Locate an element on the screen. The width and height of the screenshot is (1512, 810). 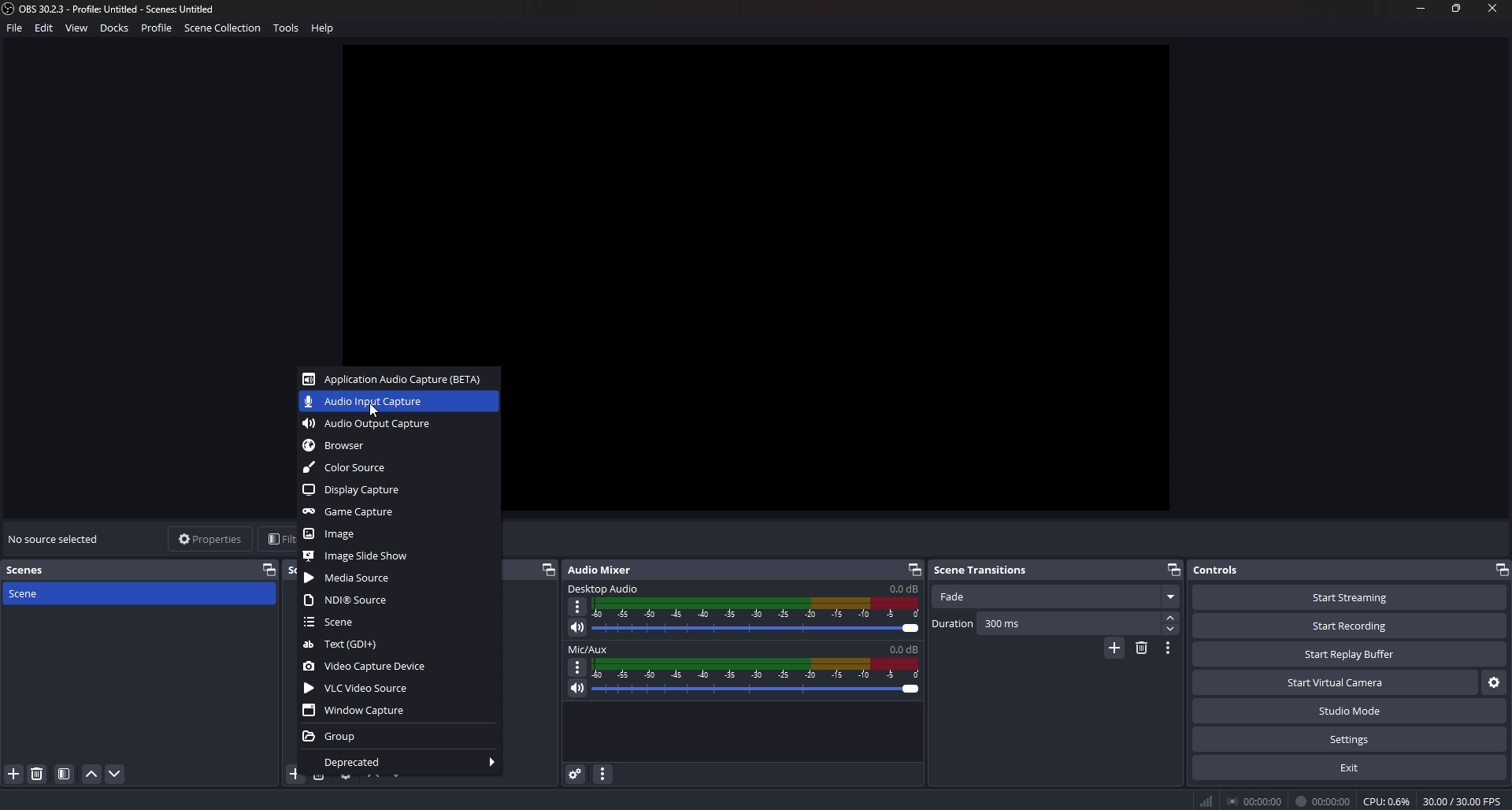
image is located at coordinates (395, 534).